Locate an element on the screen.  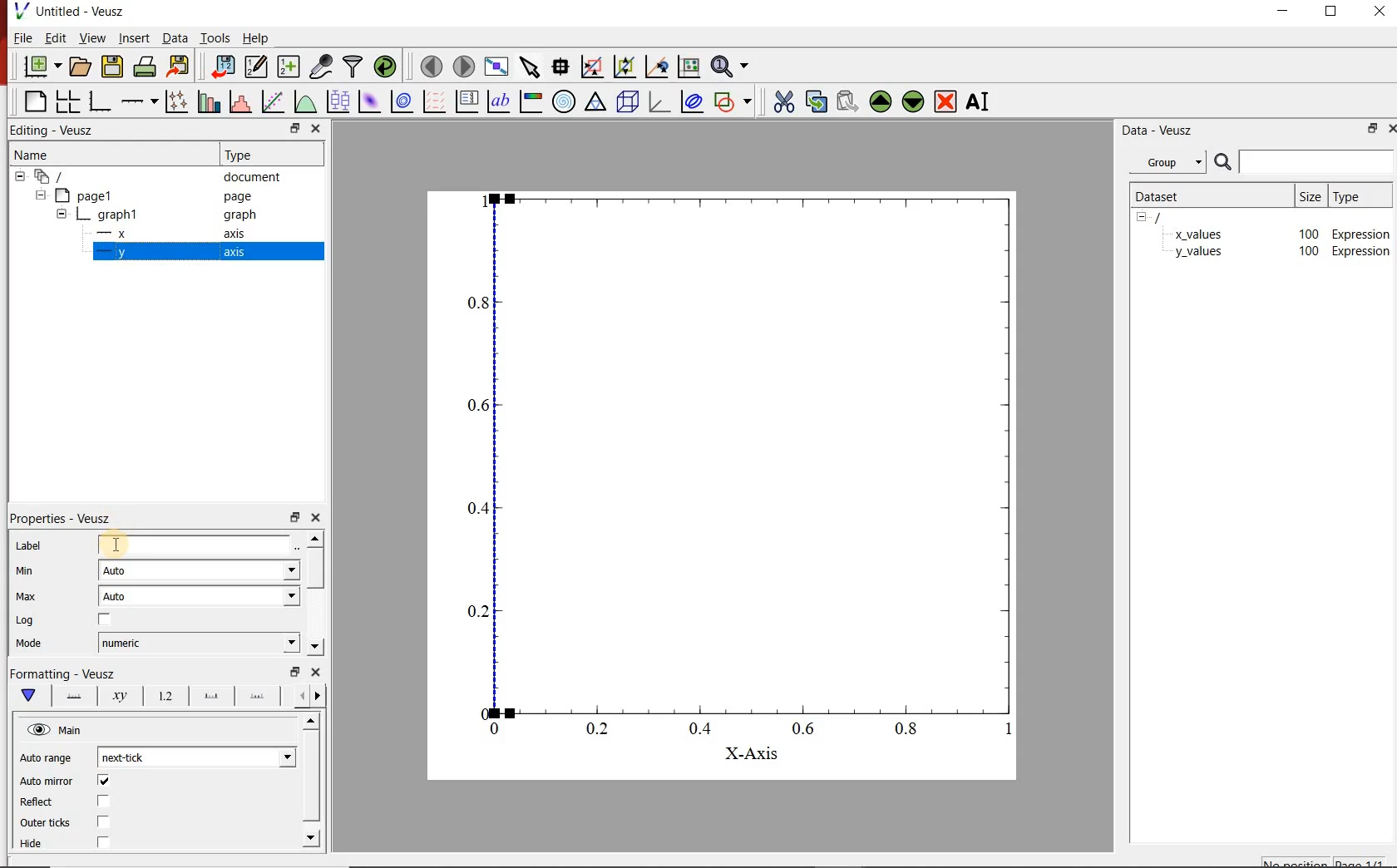
main formatting is located at coordinates (29, 696).